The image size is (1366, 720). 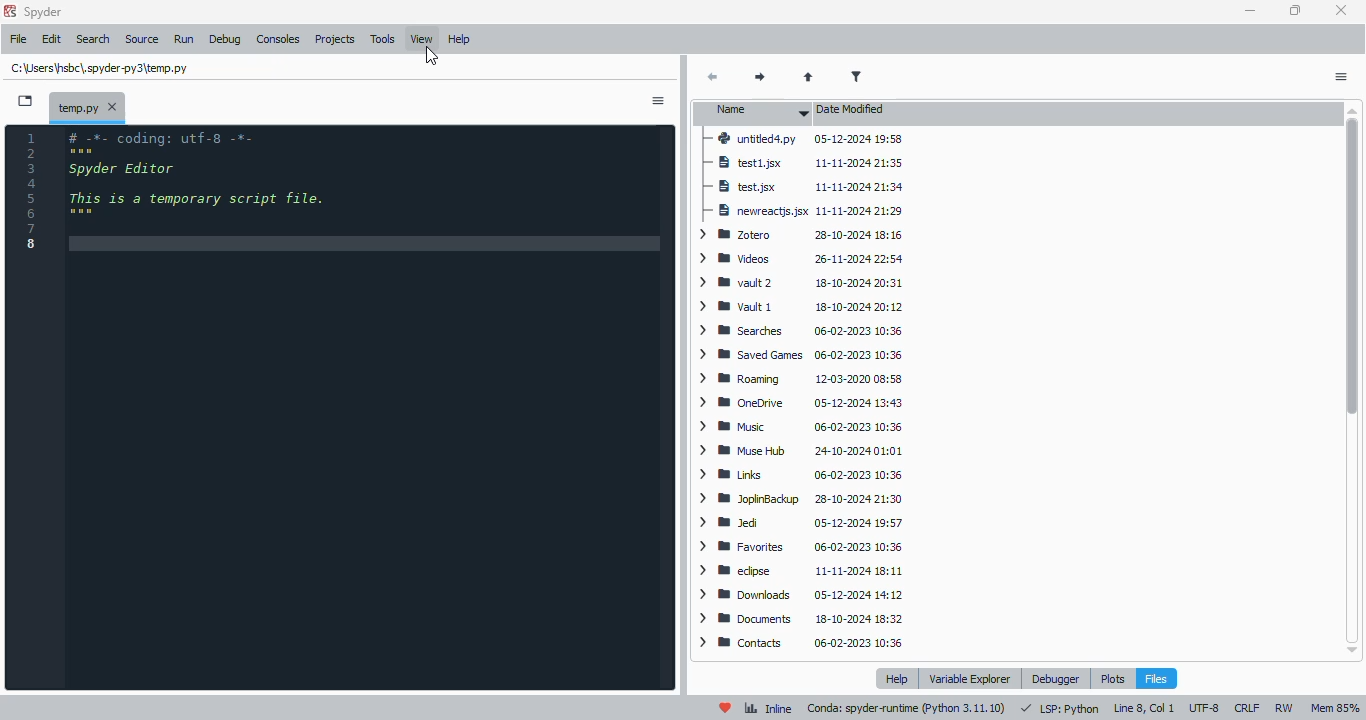 What do you see at coordinates (804, 185) in the screenshot?
I see `test.jsx` at bounding box center [804, 185].